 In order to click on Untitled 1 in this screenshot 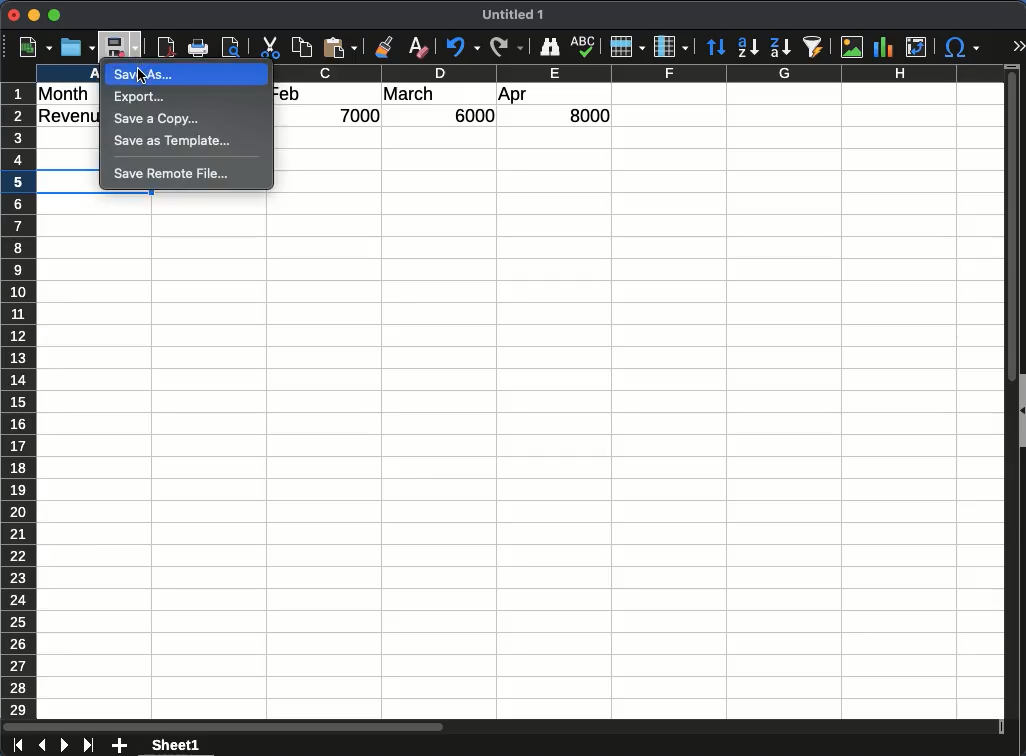, I will do `click(517, 15)`.